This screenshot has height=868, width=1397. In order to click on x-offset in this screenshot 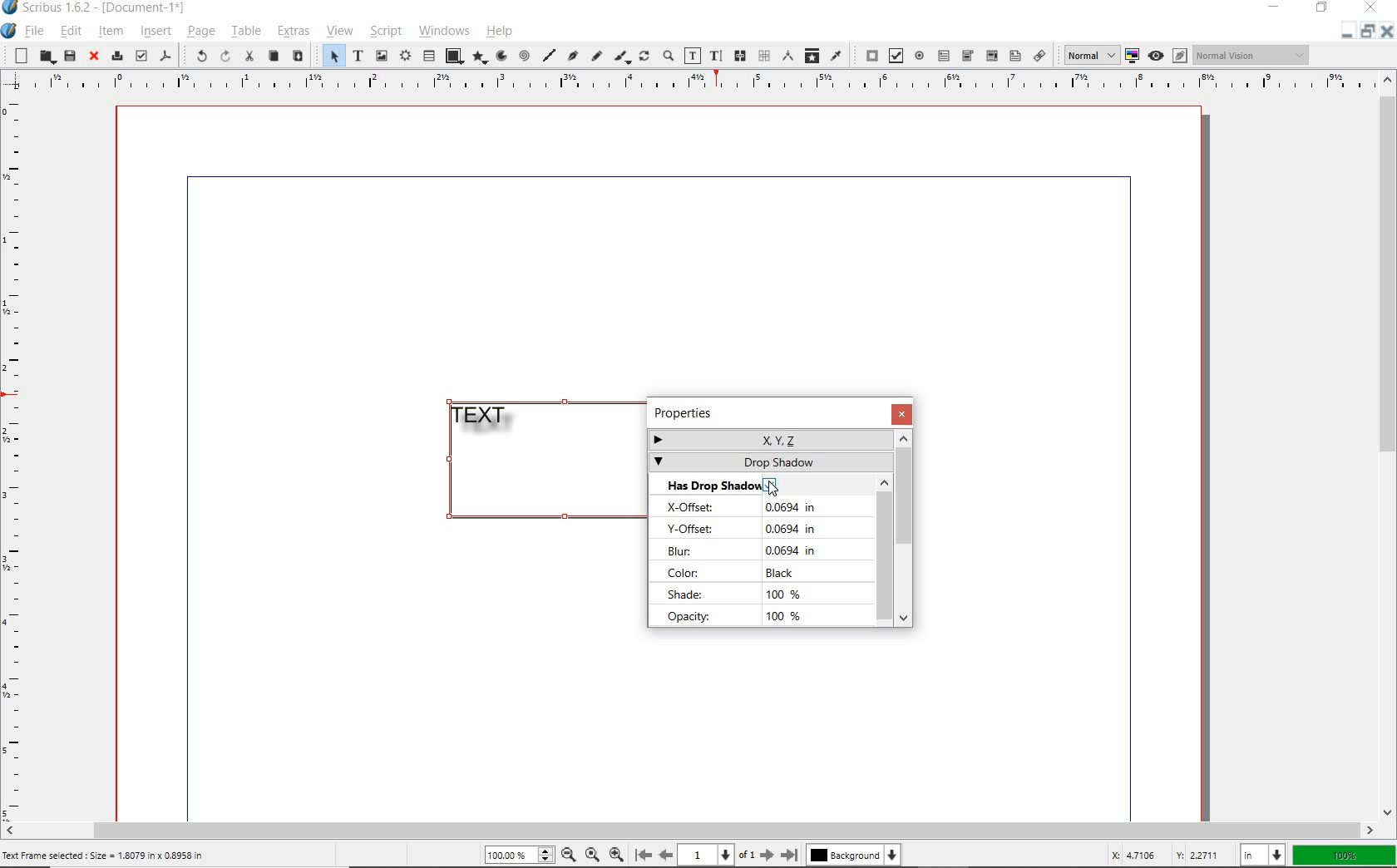, I will do `click(754, 506)`.